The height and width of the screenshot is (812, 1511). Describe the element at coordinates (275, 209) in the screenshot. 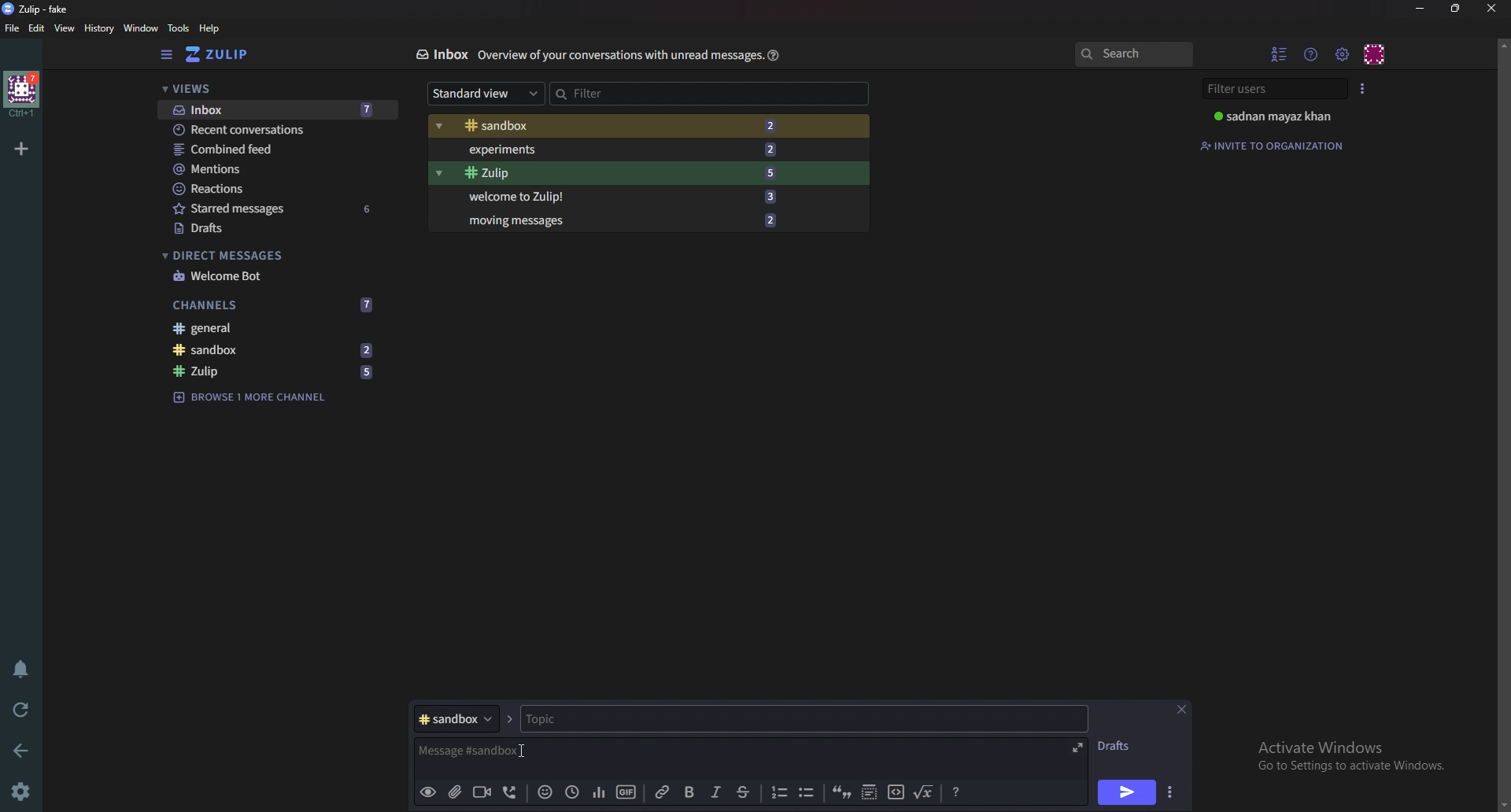

I see `Starred messages` at that location.